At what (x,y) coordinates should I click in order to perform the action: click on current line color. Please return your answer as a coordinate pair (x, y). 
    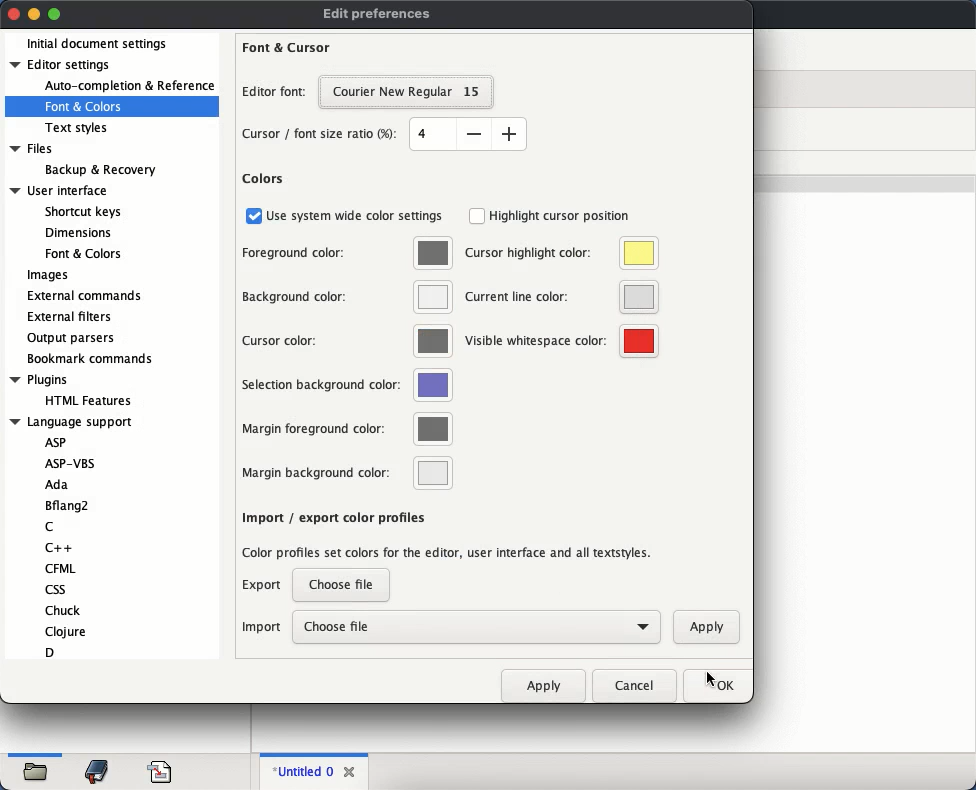
    Looking at the image, I should click on (562, 297).